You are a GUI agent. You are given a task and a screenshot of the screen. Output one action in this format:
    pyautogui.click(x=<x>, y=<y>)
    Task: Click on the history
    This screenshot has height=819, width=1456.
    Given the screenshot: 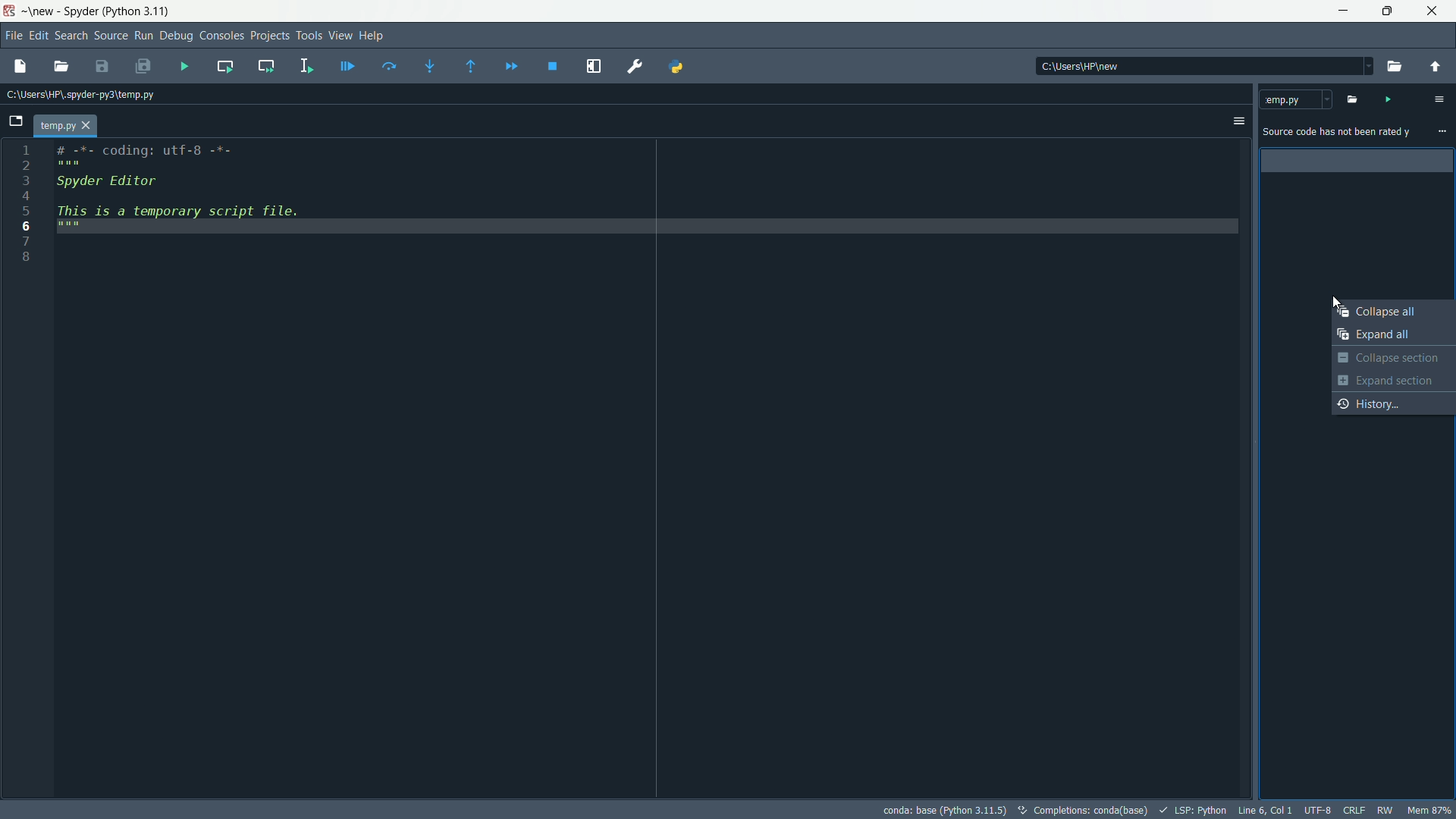 What is the action you would take?
    pyautogui.click(x=1394, y=403)
    